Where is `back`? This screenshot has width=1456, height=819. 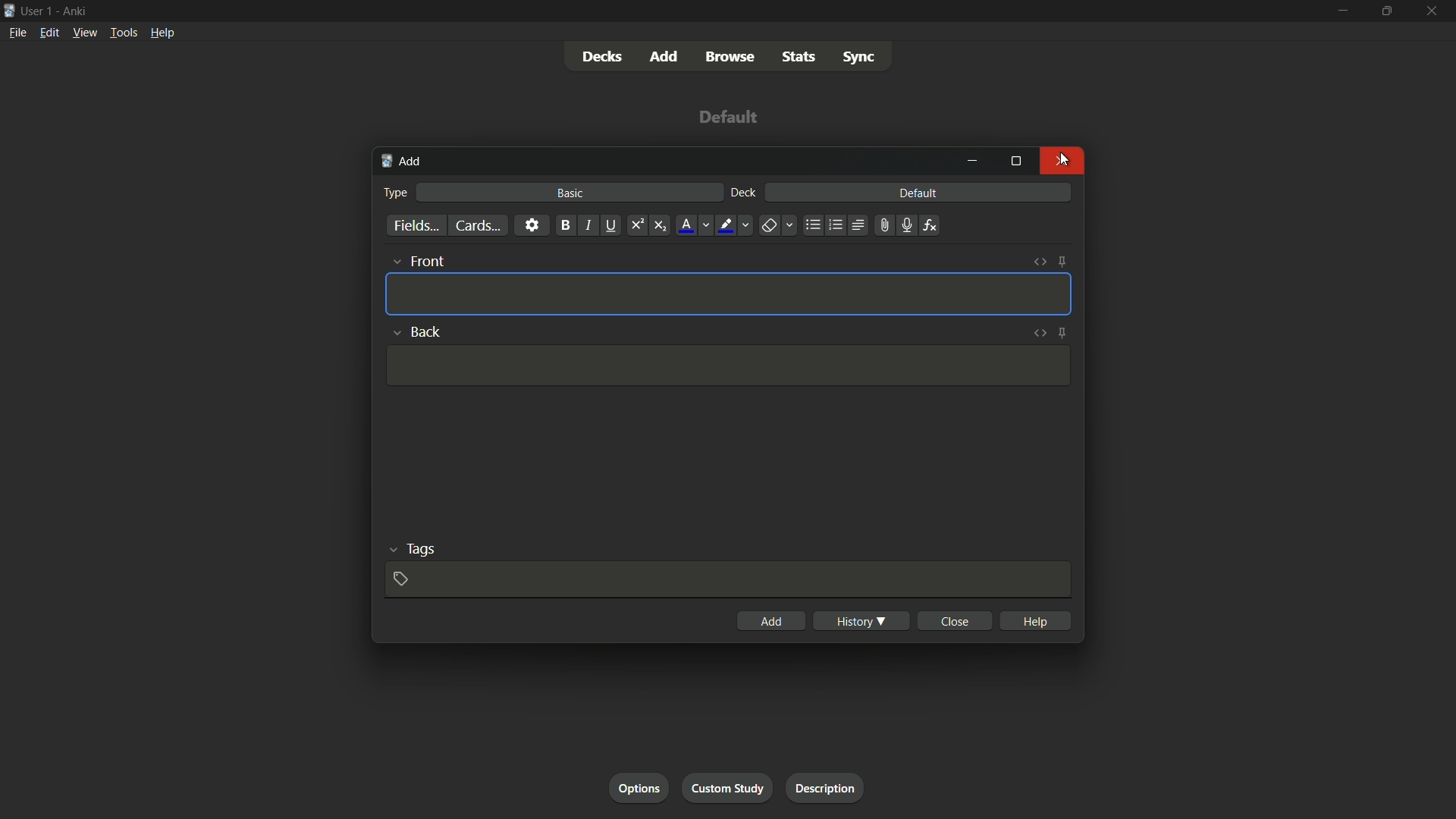 back is located at coordinates (414, 330).